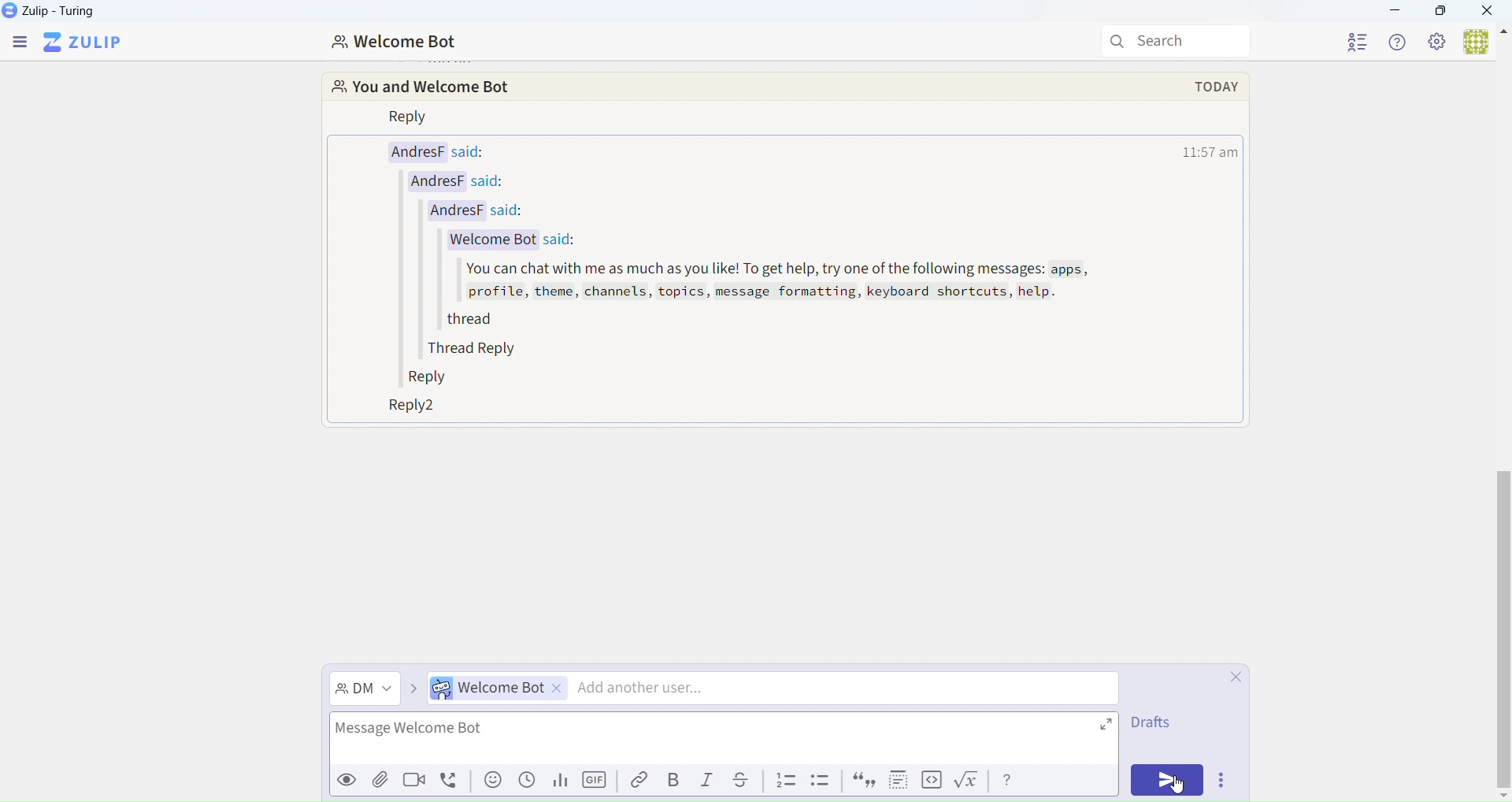 This screenshot has height=802, width=1512. Describe the element at coordinates (785, 781) in the screenshot. I see `List` at that location.